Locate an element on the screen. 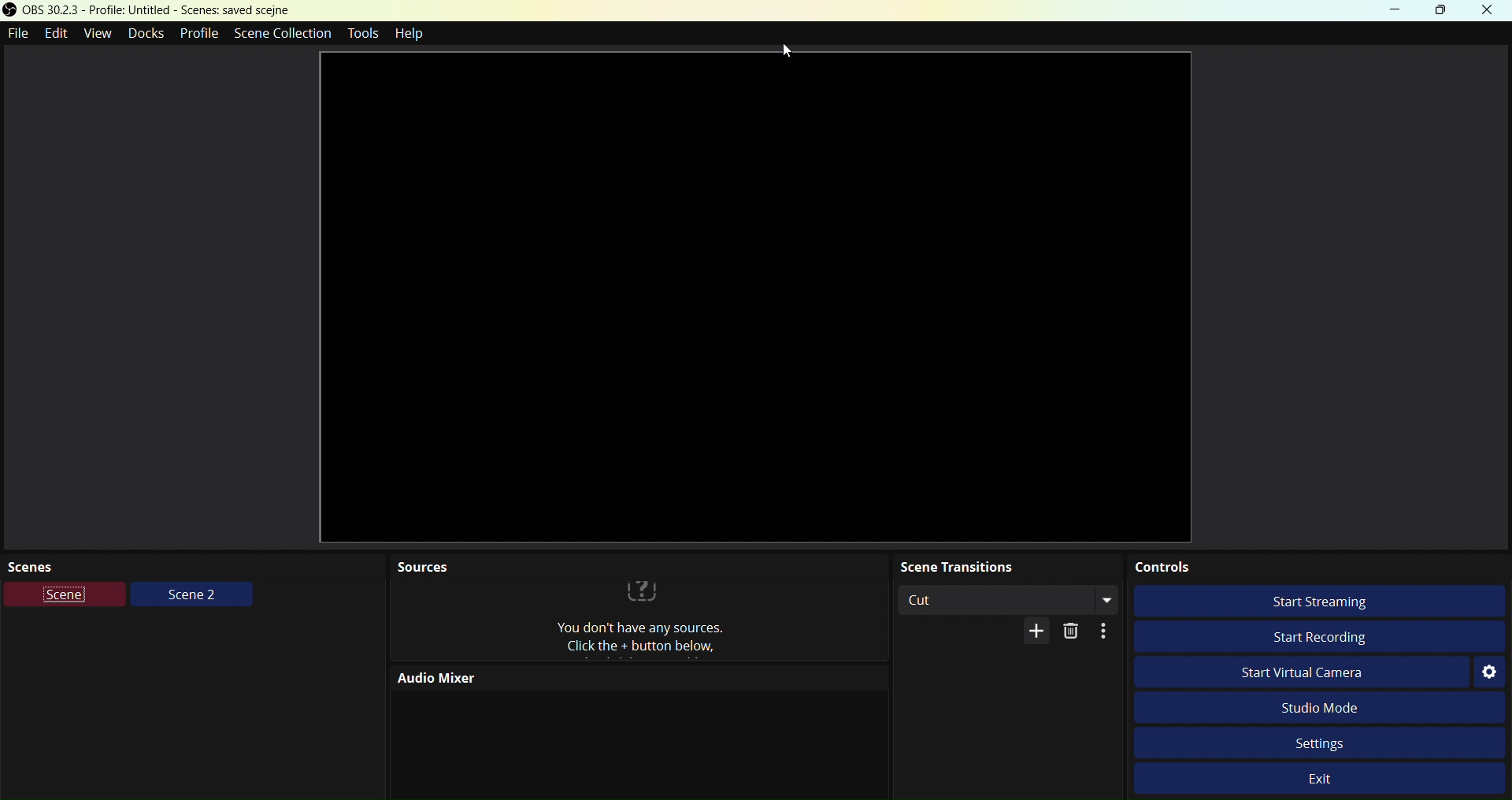  OBS Studio is located at coordinates (148, 10).